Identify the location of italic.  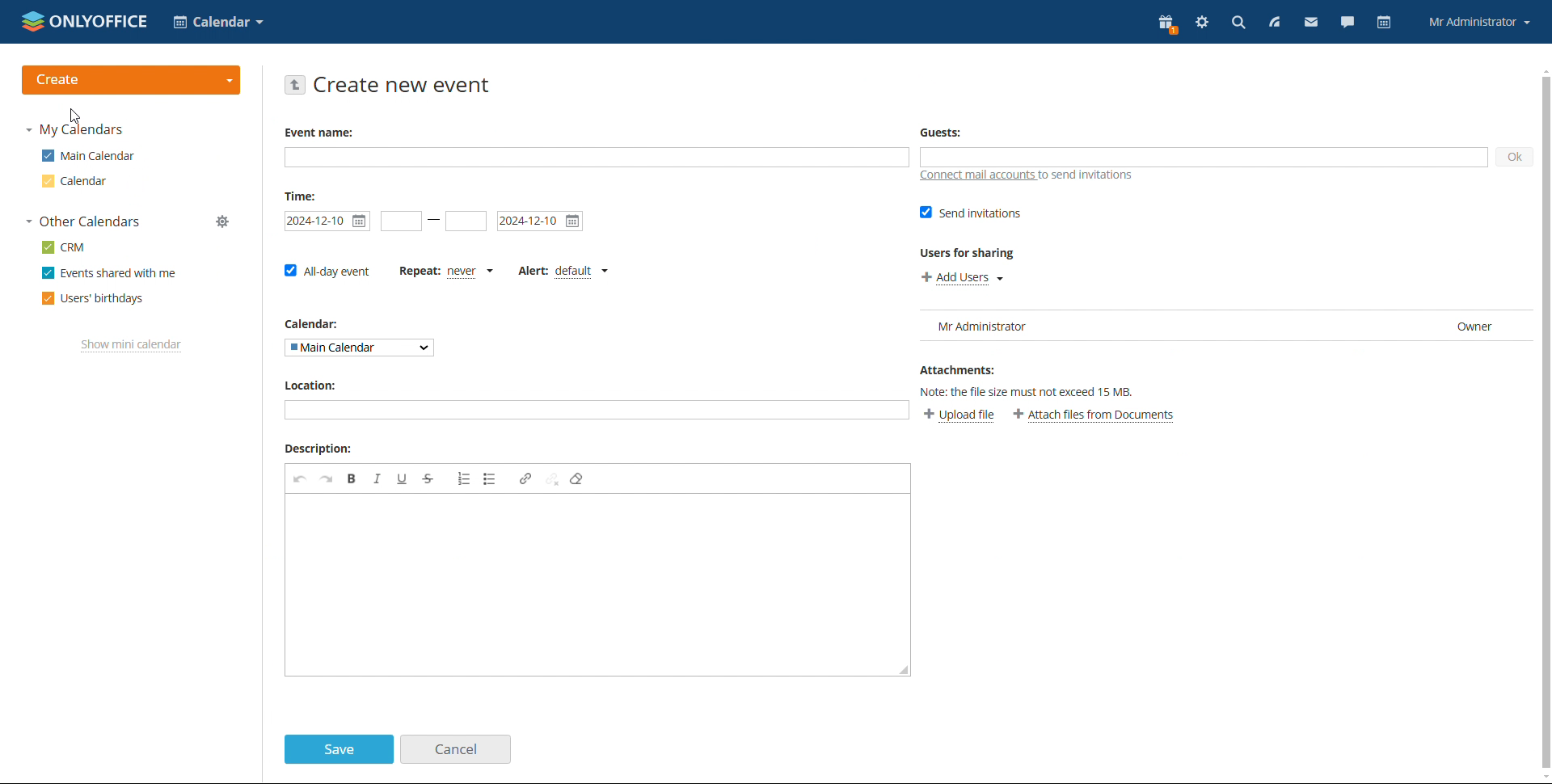
(377, 478).